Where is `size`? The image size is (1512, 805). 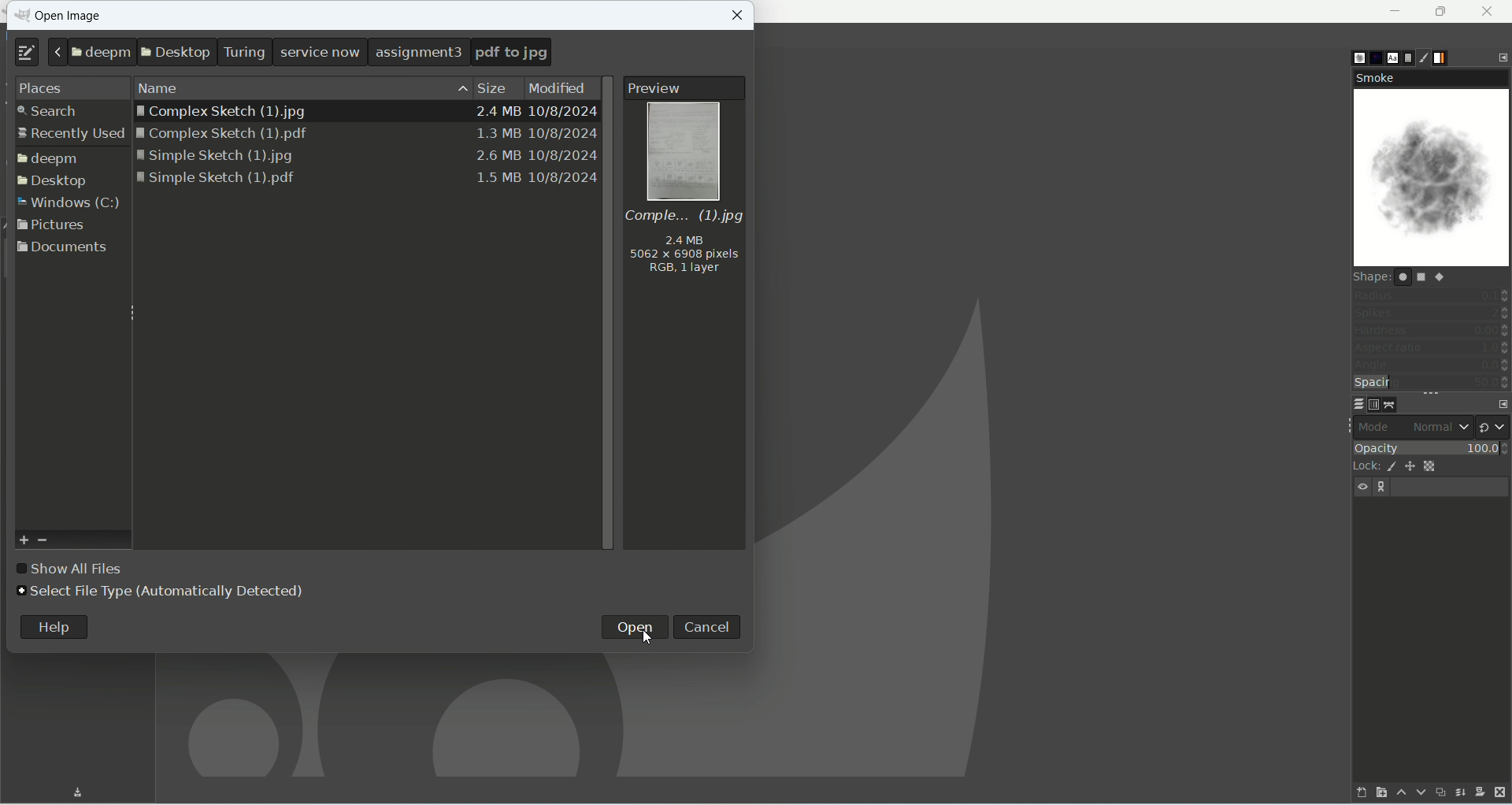
size is located at coordinates (498, 90).